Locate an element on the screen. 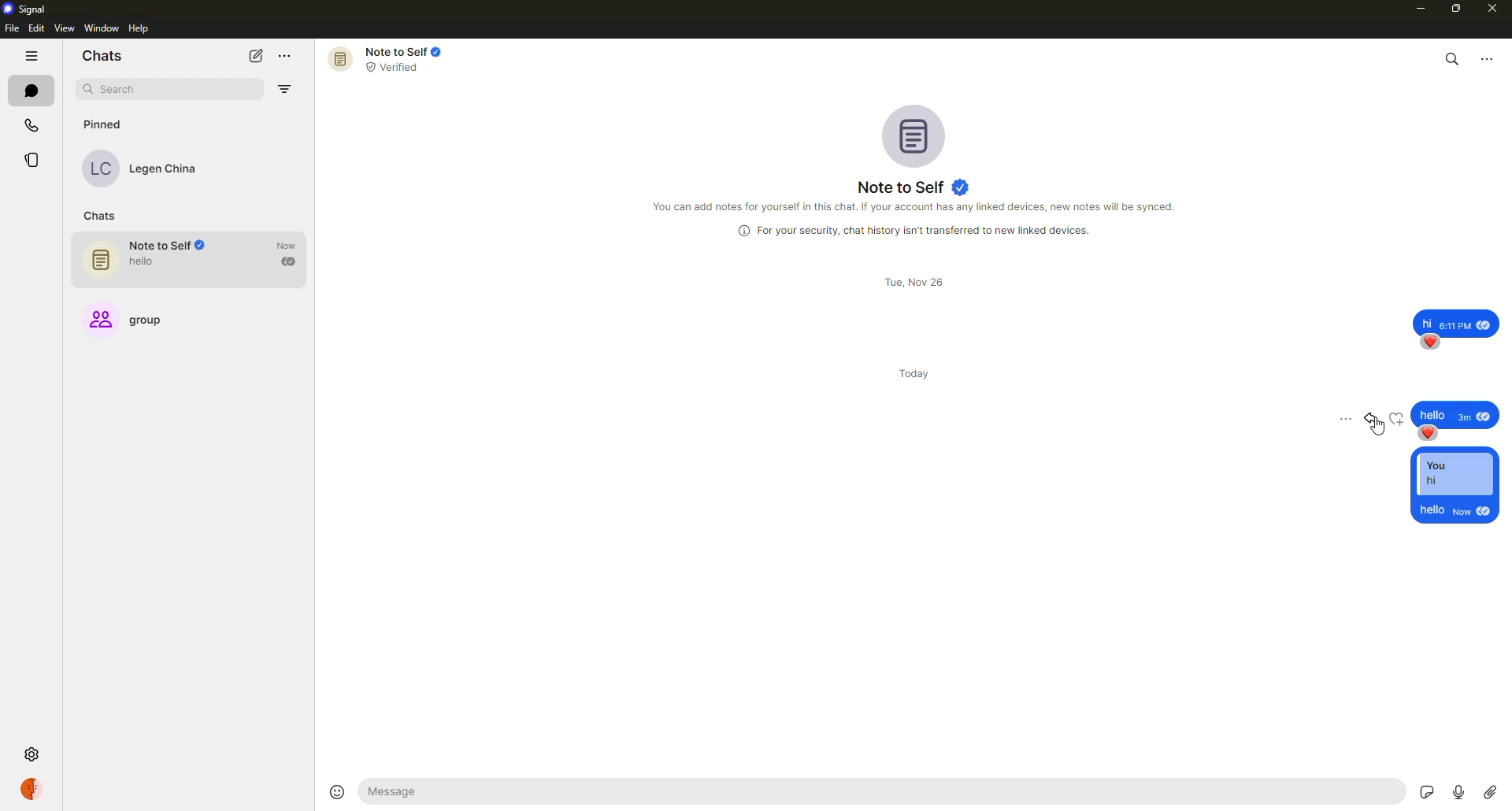 Image resolution: width=1512 pixels, height=811 pixels. hide tabs is located at coordinates (33, 56).